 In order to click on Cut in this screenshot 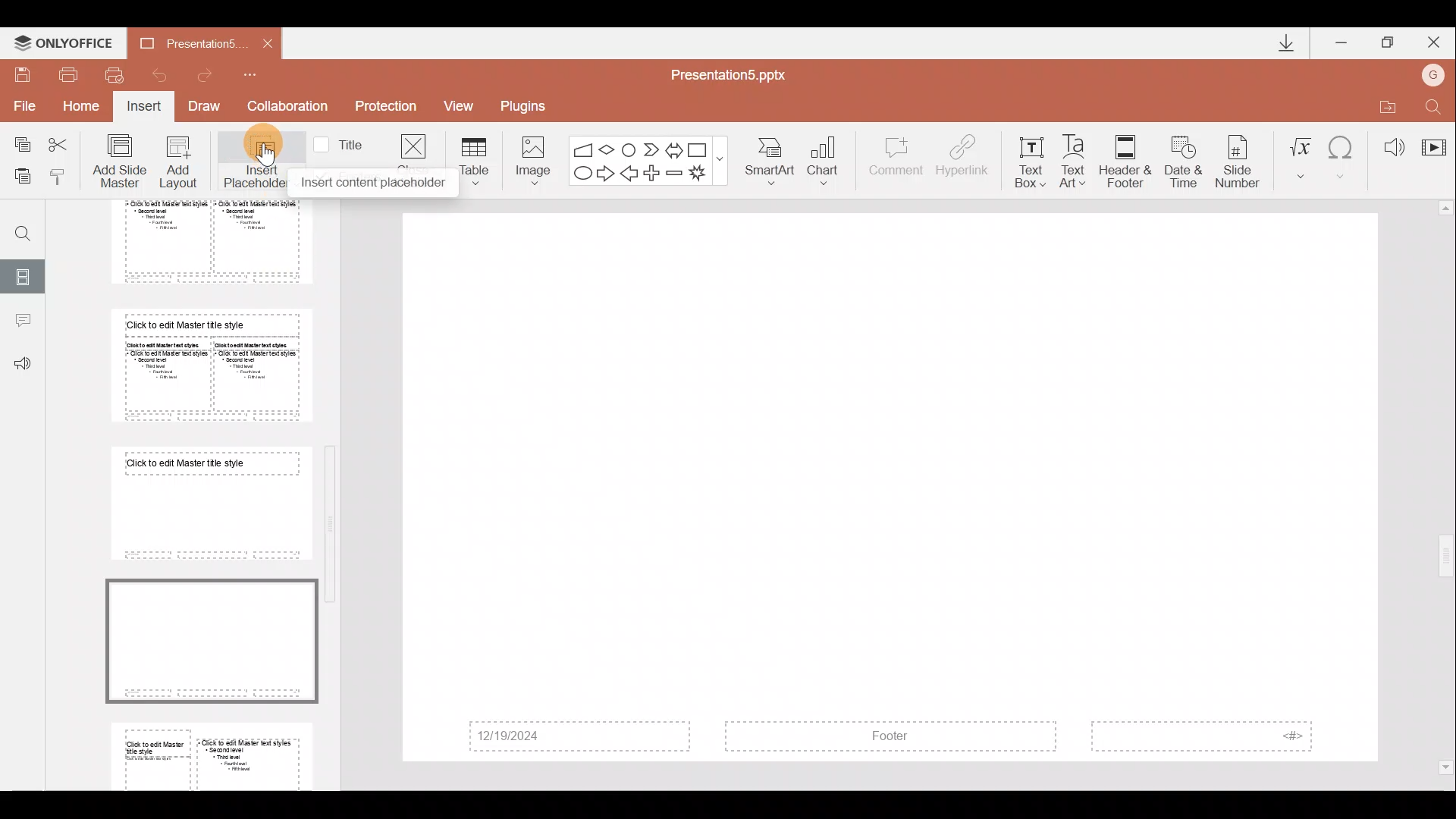, I will do `click(62, 144)`.